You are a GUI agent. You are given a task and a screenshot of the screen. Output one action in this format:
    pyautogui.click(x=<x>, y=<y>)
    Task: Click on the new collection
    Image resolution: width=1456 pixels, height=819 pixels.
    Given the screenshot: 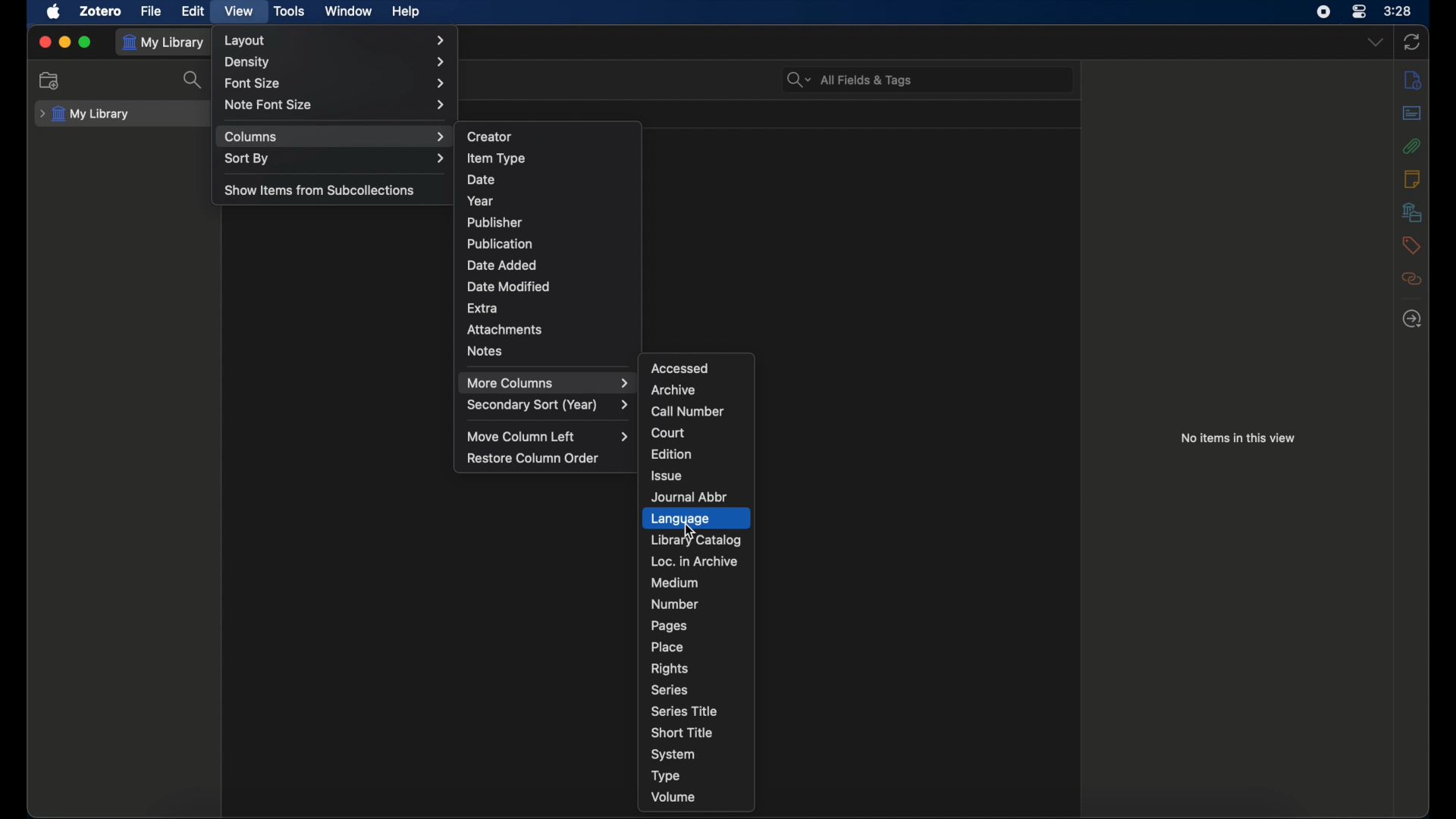 What is the action you would take?
    pyautogui.click(x=51, y=81)
    